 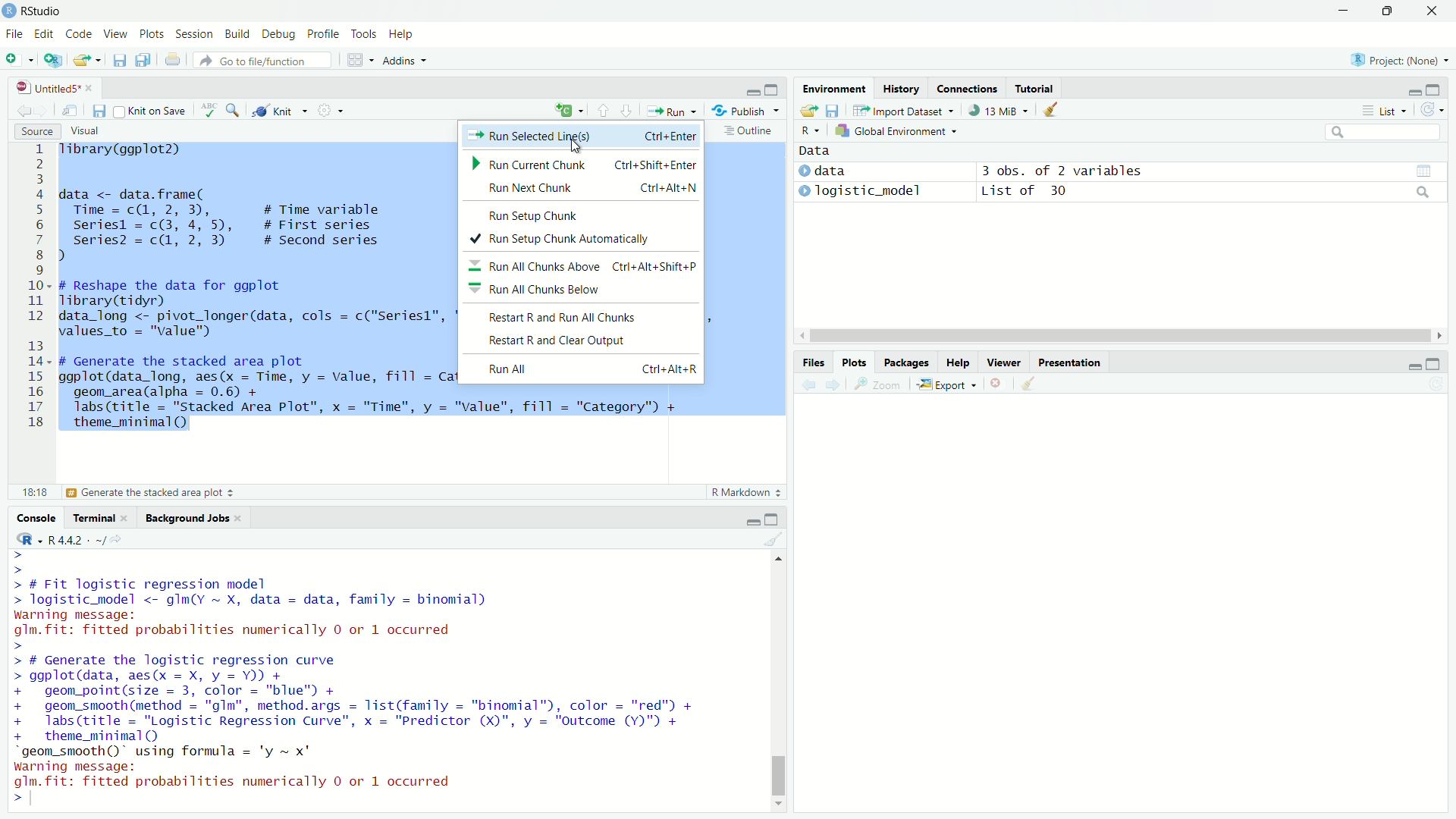 I want to click on back, so click(x=807, y=388).